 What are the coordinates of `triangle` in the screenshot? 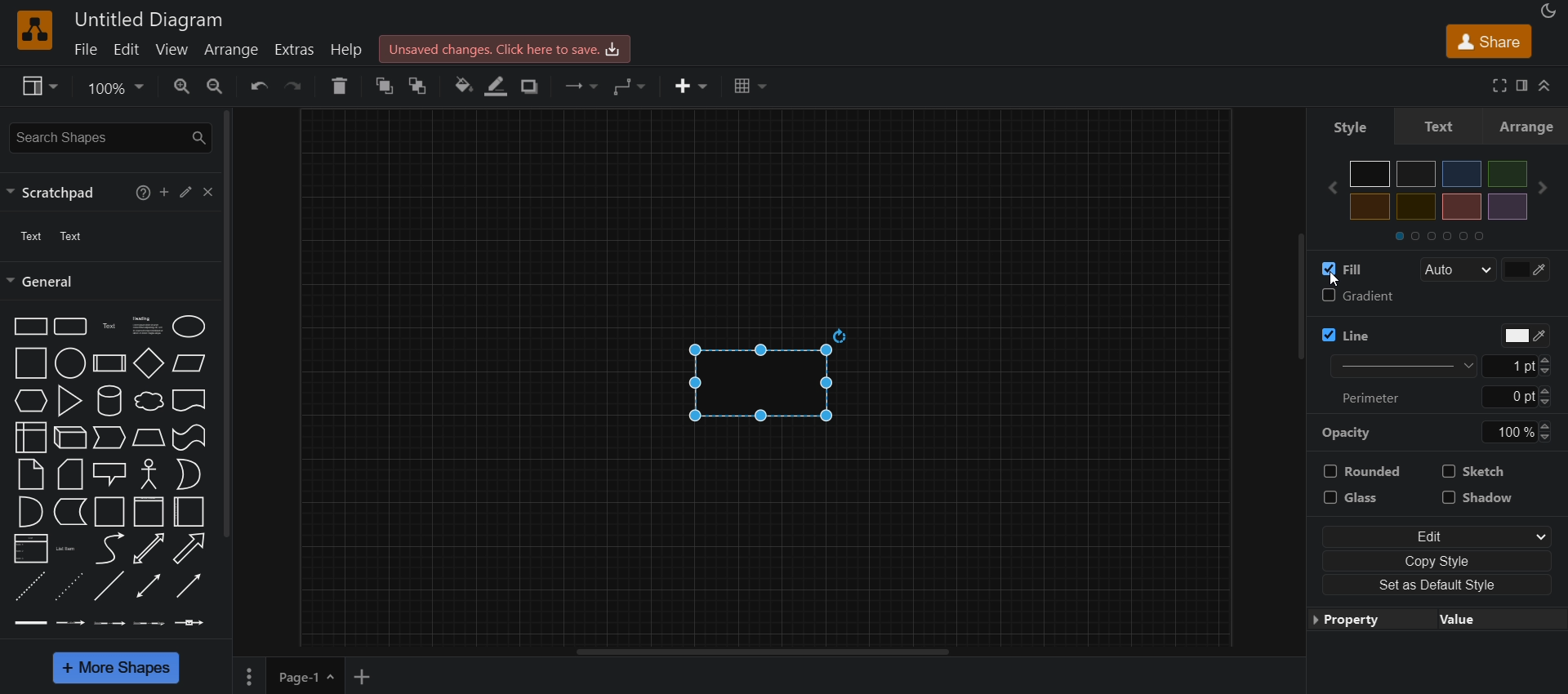 It's located at (69, 401).